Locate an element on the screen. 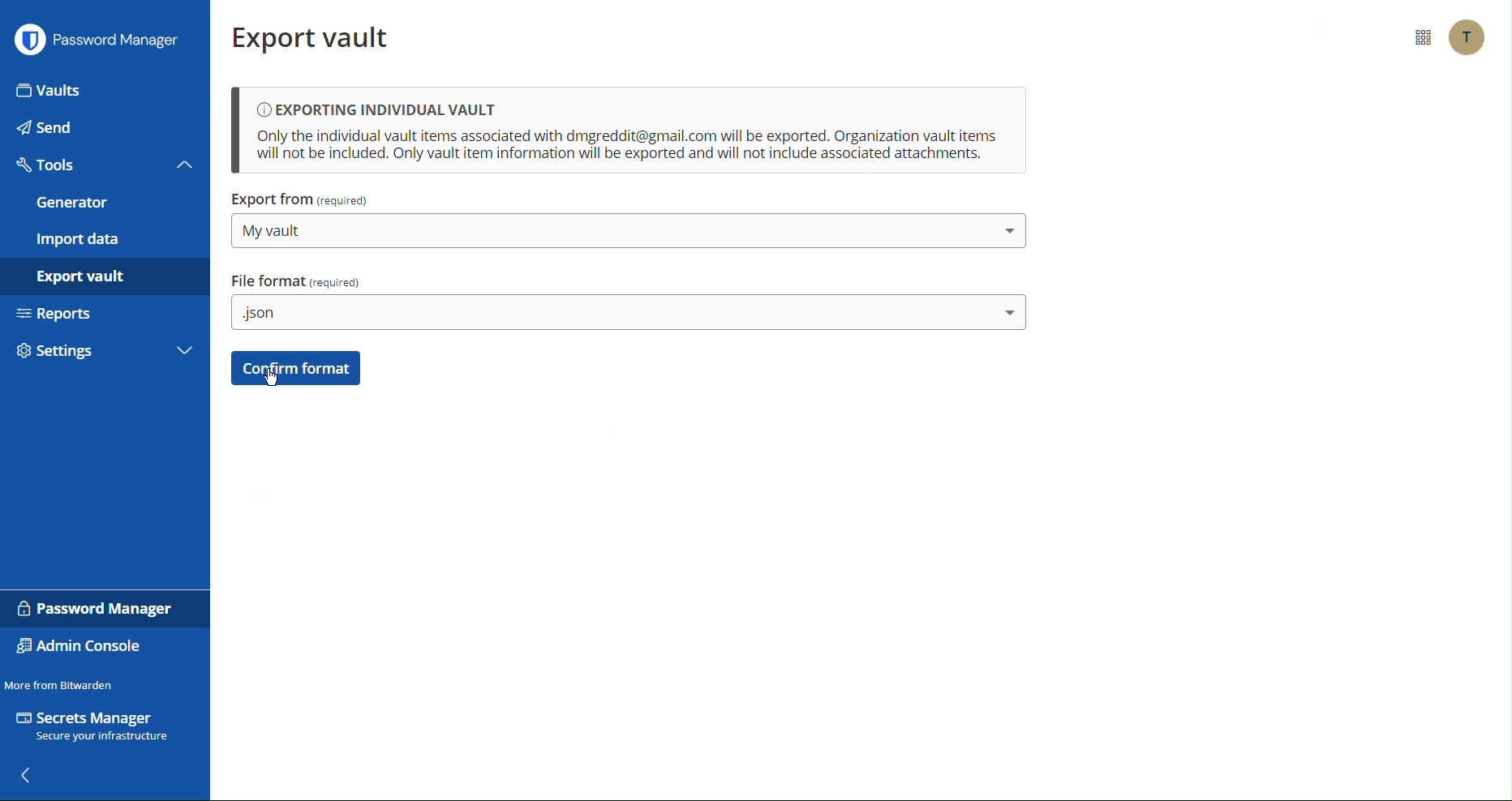 This screenshot has width=1512, height=801. Password Manager is located at coordinates (98, 609).